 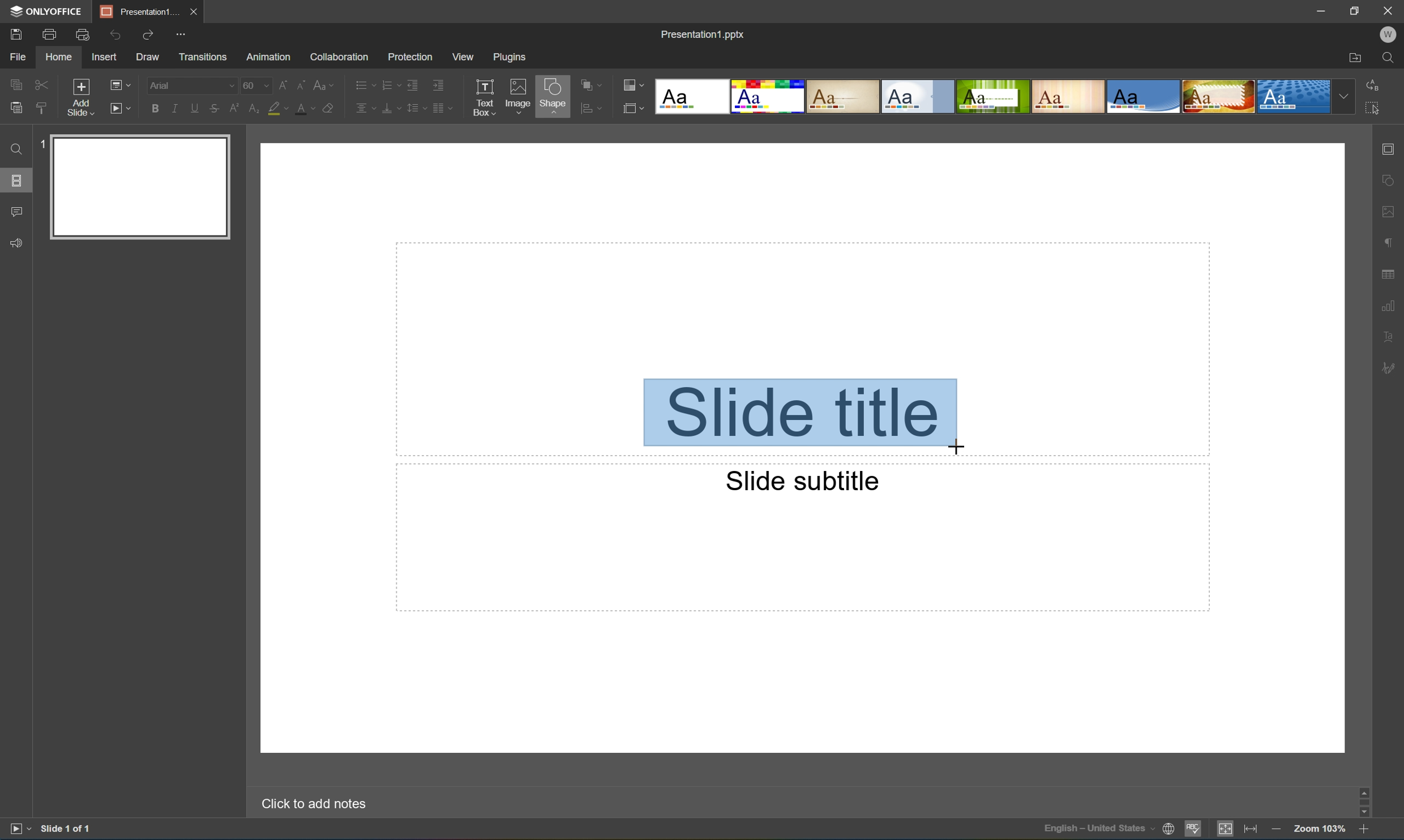 I want to click on Feedback & support, so click(x=19, y=243).